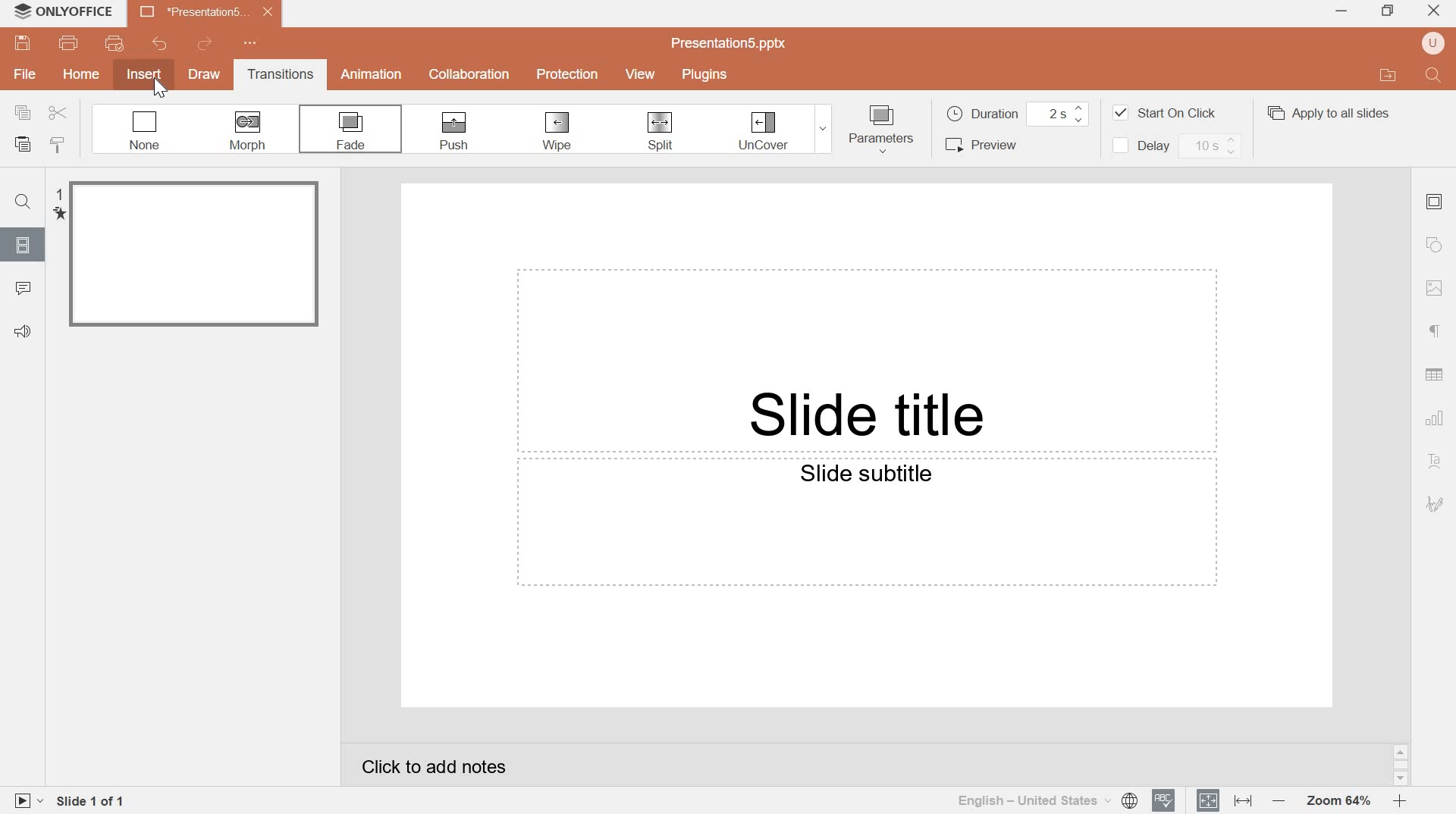 The height and width of the screenshot is (814, 1456). Describe the element at coordinates (24, 289) in the screenshot. I see `comments` at that location.